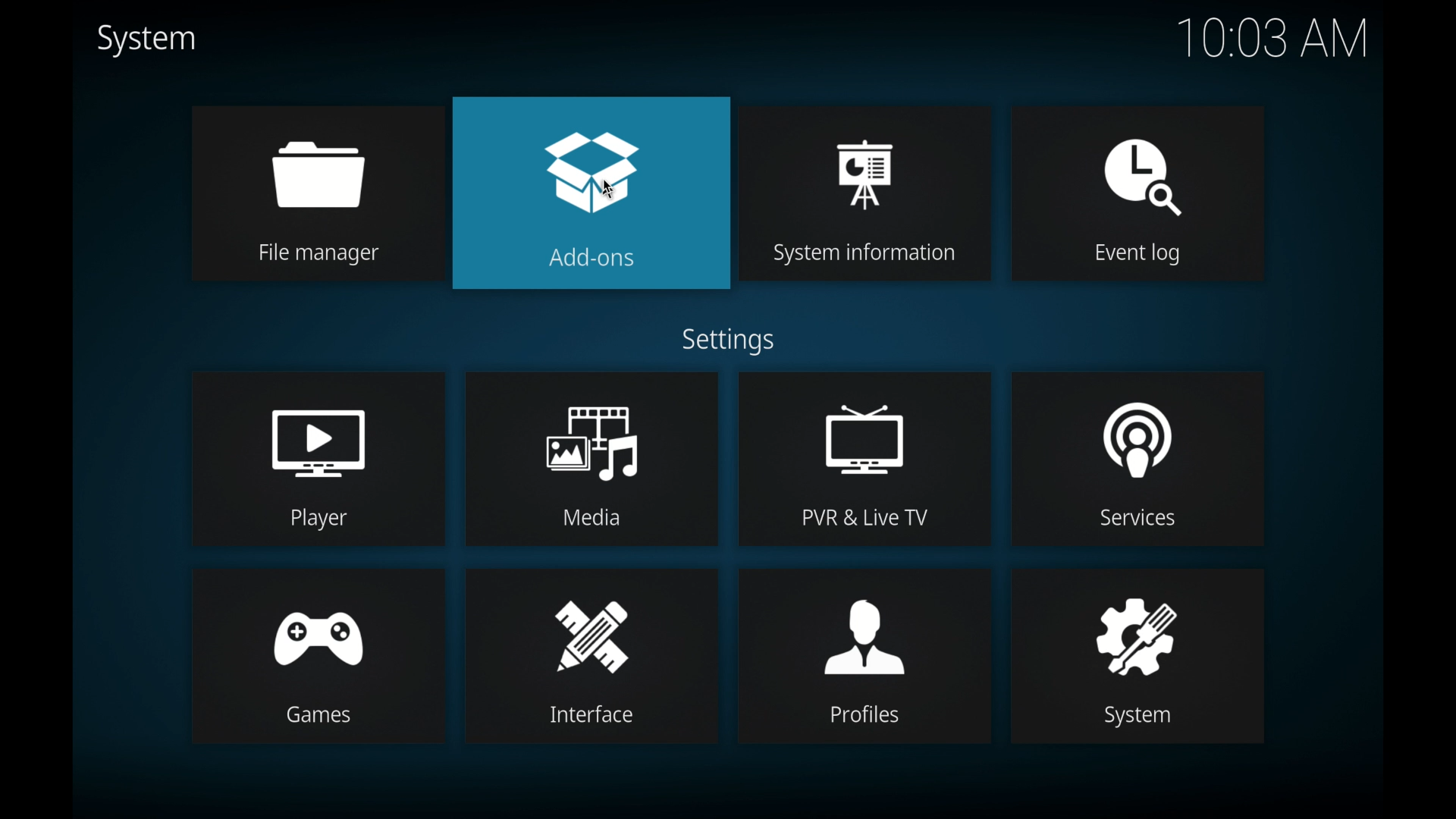 This screenshot has height=819, width=1456. What do you see at coordinates (592, 655) in the screenshot?
I see `interface` at bounding box center [592, 655].